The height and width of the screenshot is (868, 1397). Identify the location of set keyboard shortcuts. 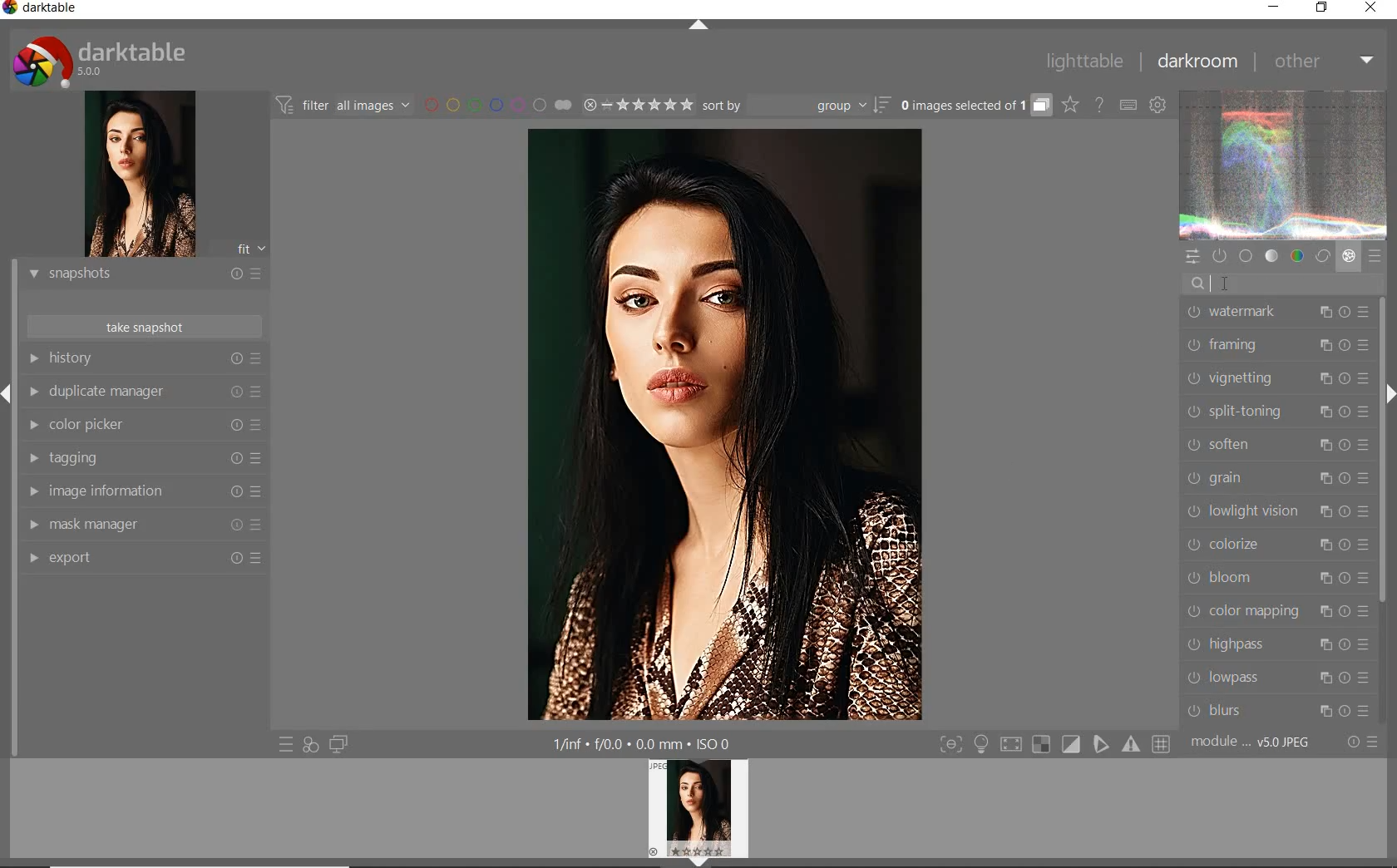
(1127, 106).